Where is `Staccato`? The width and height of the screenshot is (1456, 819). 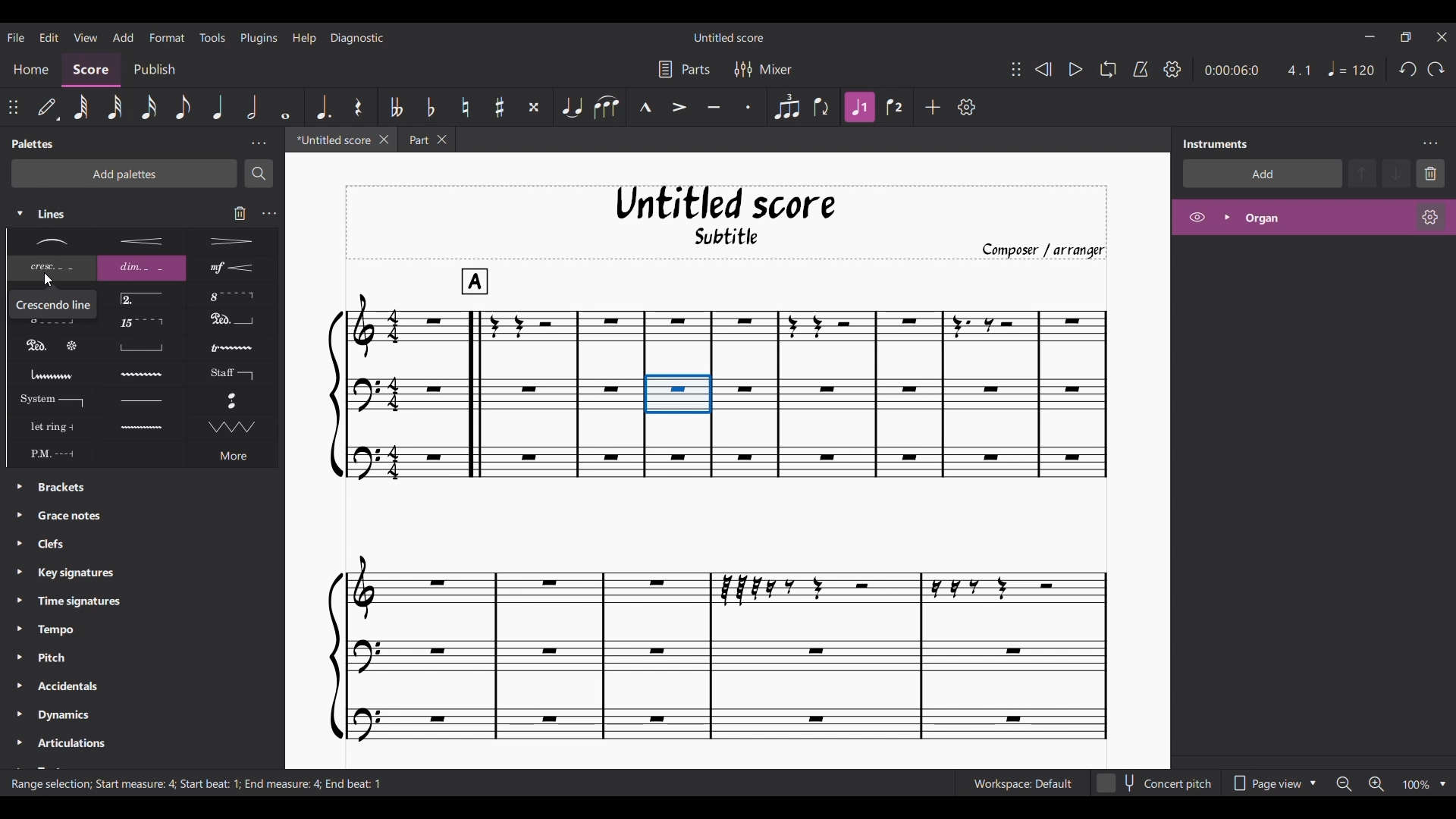 Staccato is located at coordinates (748, 107).